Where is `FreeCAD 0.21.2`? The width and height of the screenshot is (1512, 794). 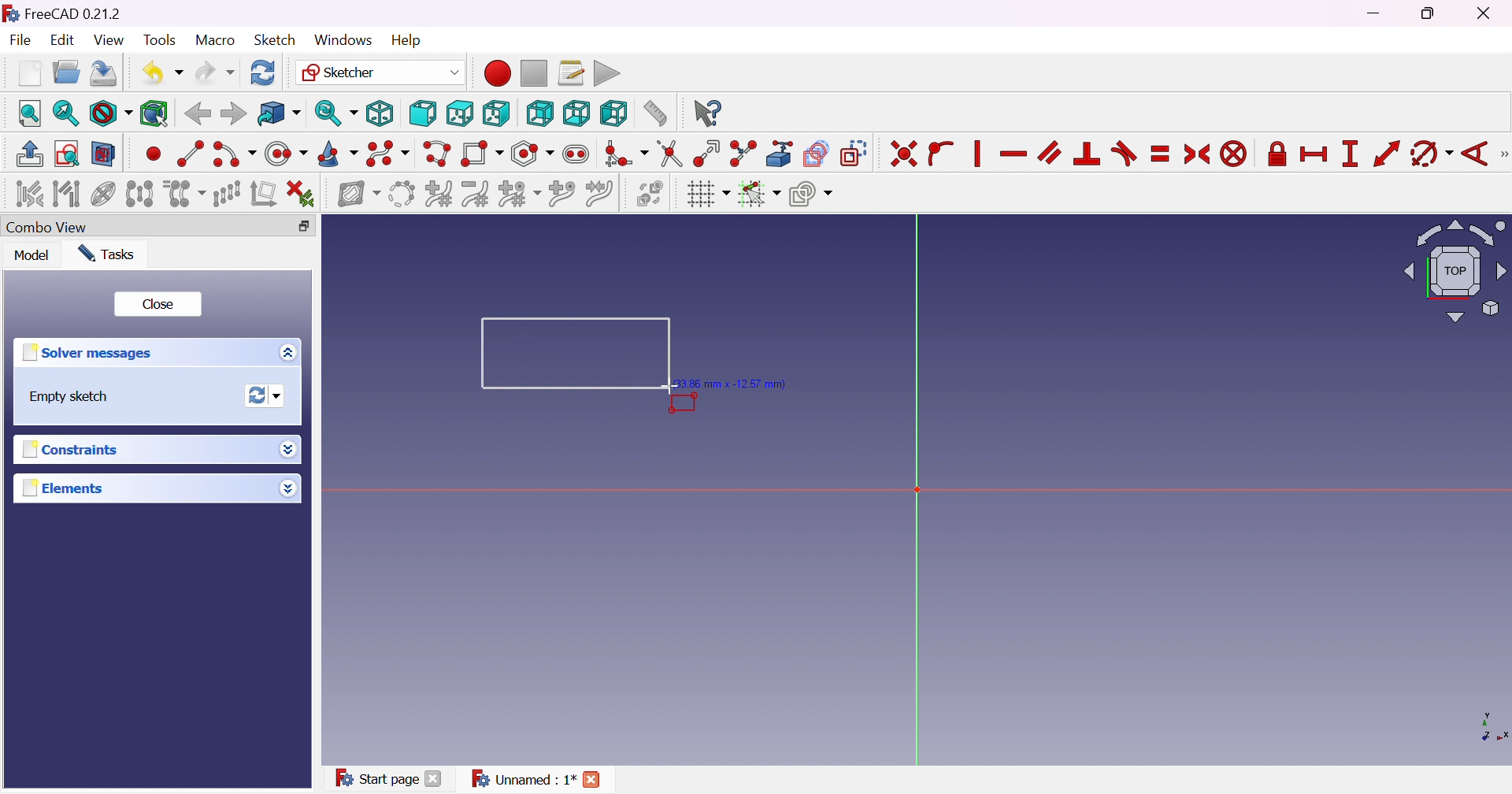 FreeCAD 0.21.2 is located at coordinates (61, 11).